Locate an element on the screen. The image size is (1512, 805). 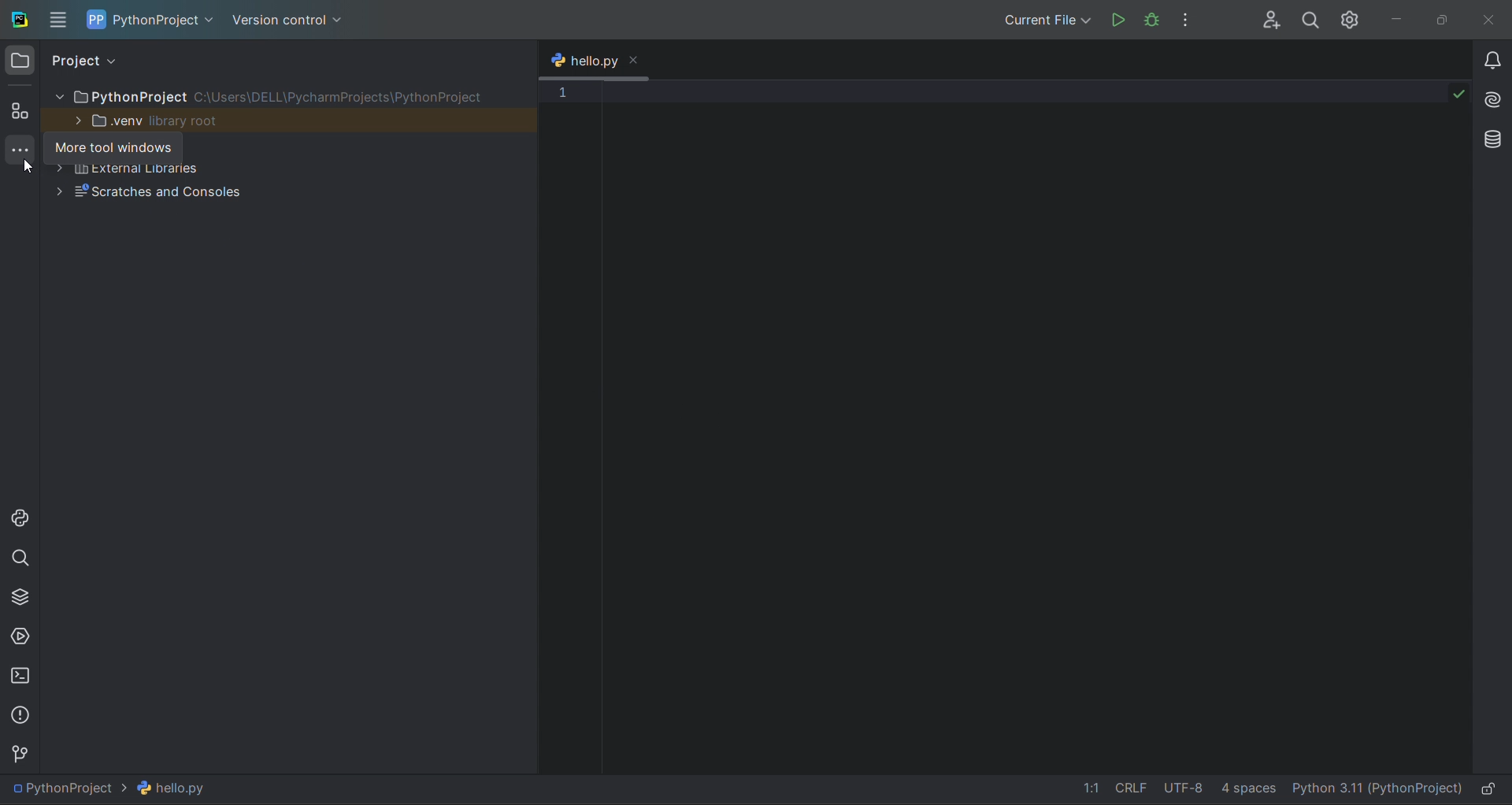
More tool windows is located at coordinates (113, 148).